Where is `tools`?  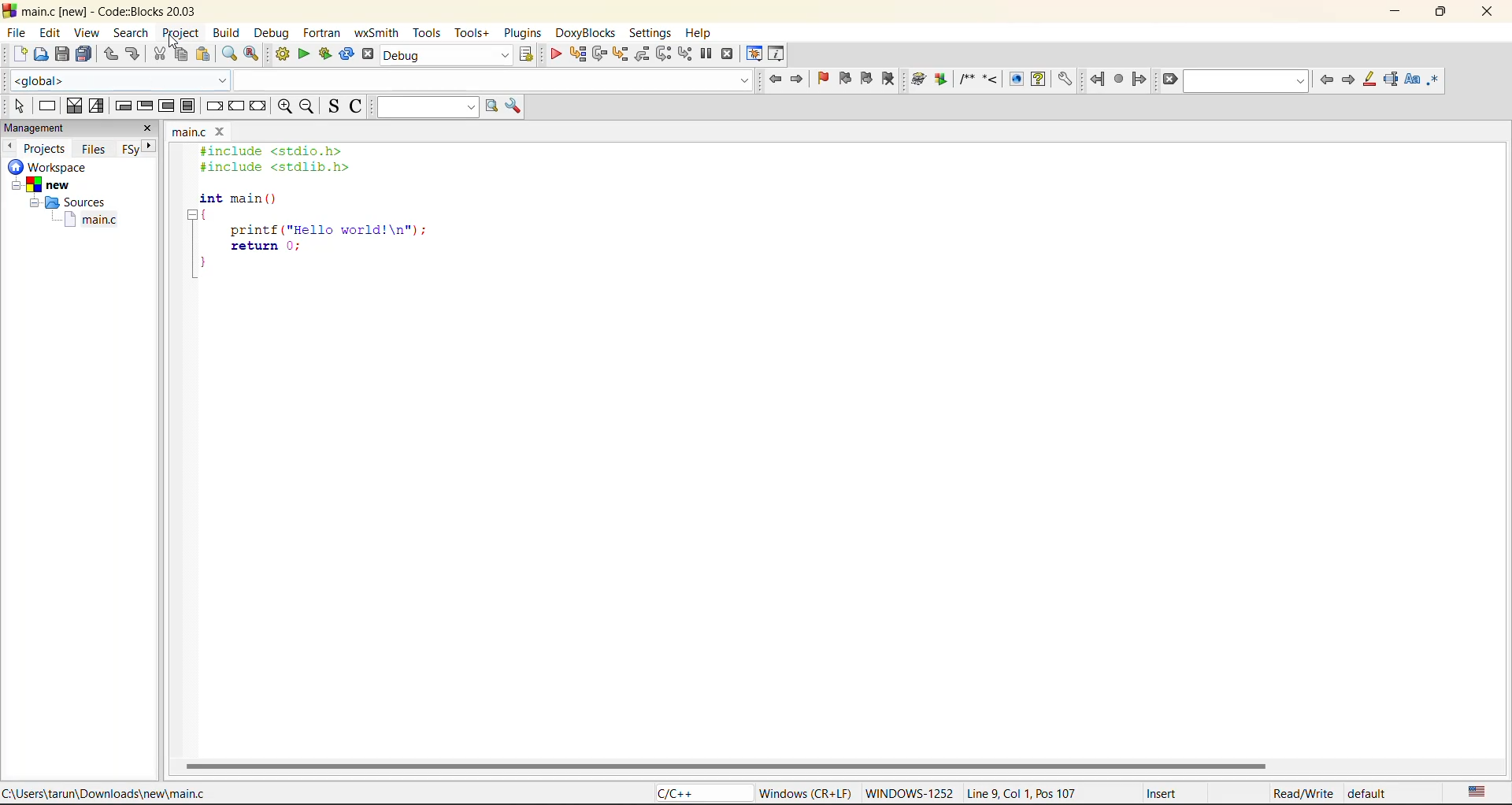
tools is located at coordinates (475, 32).